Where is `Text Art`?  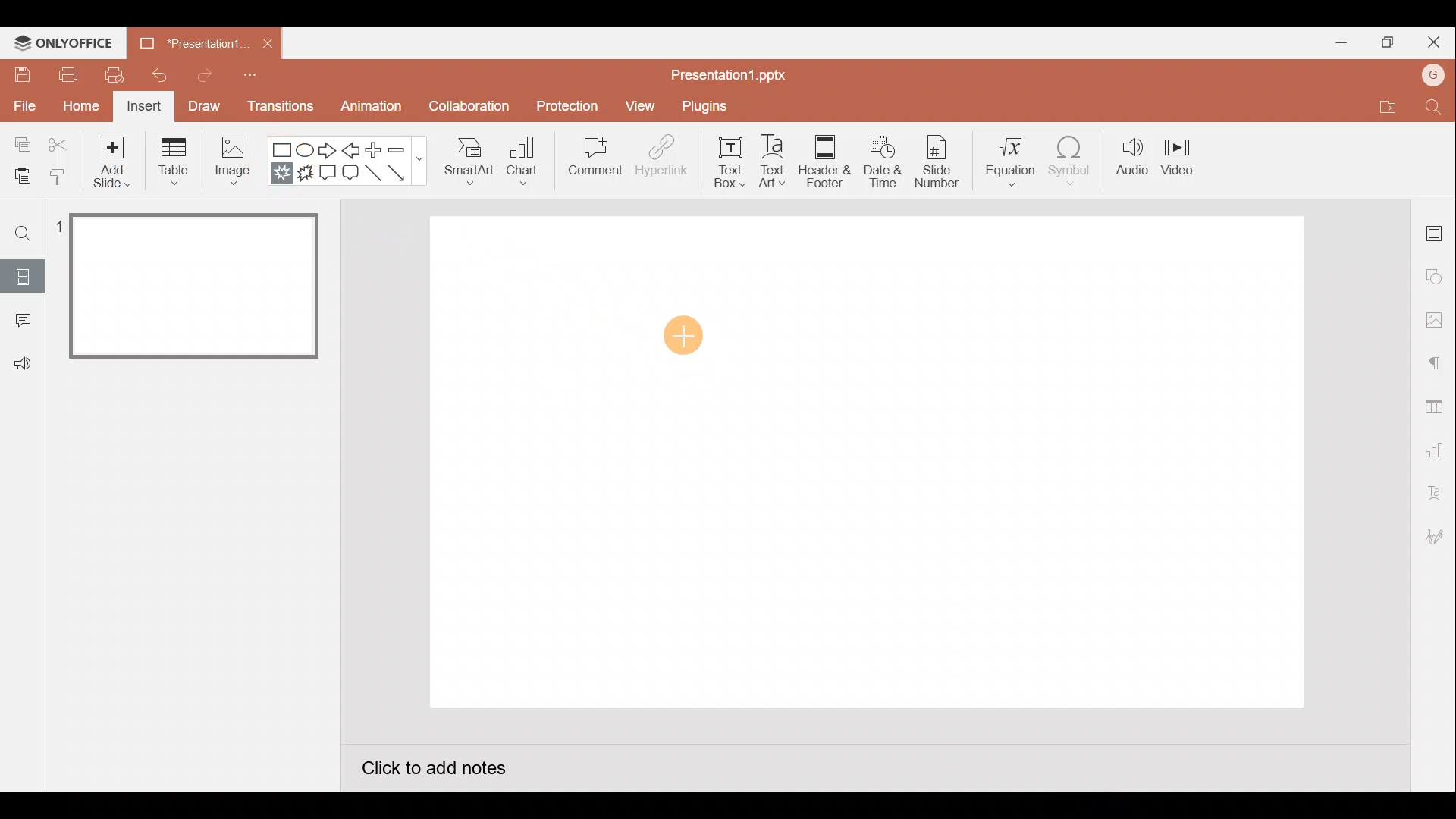
Text Art is located at coordinates (770, 162).